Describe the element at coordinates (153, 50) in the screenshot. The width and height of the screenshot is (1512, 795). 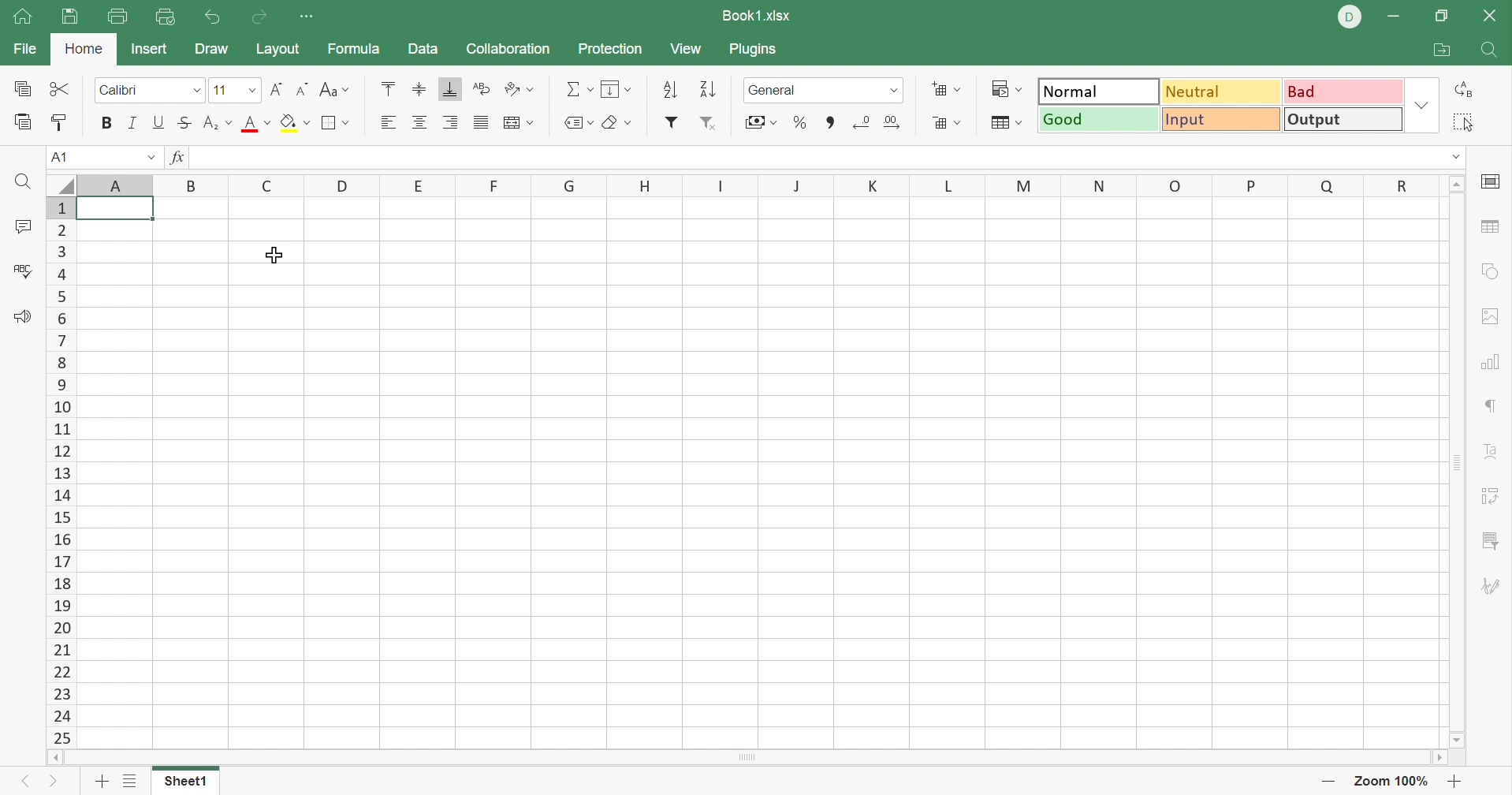
I see `Insert` at that location.